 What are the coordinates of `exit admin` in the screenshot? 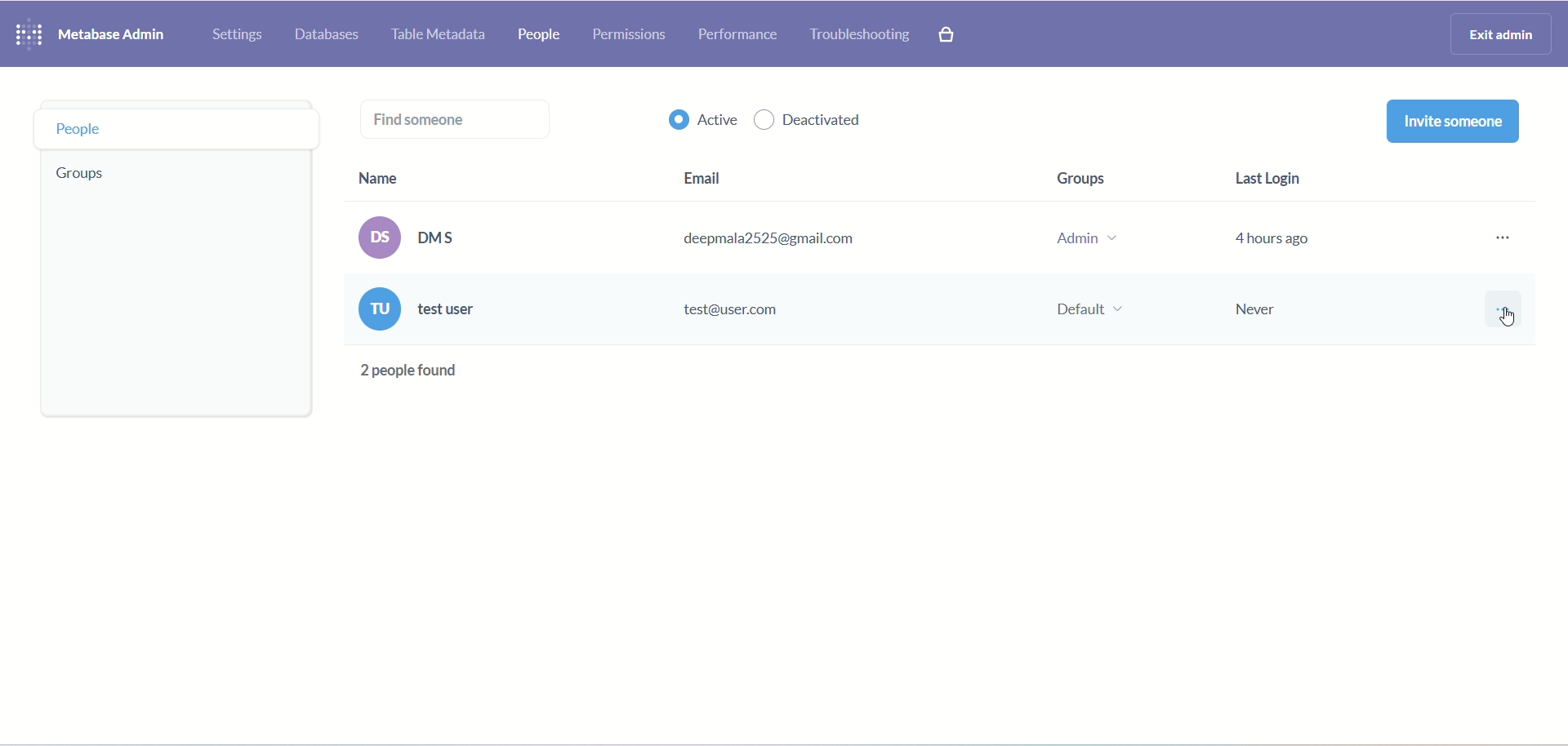 It's located at (1497, 34).